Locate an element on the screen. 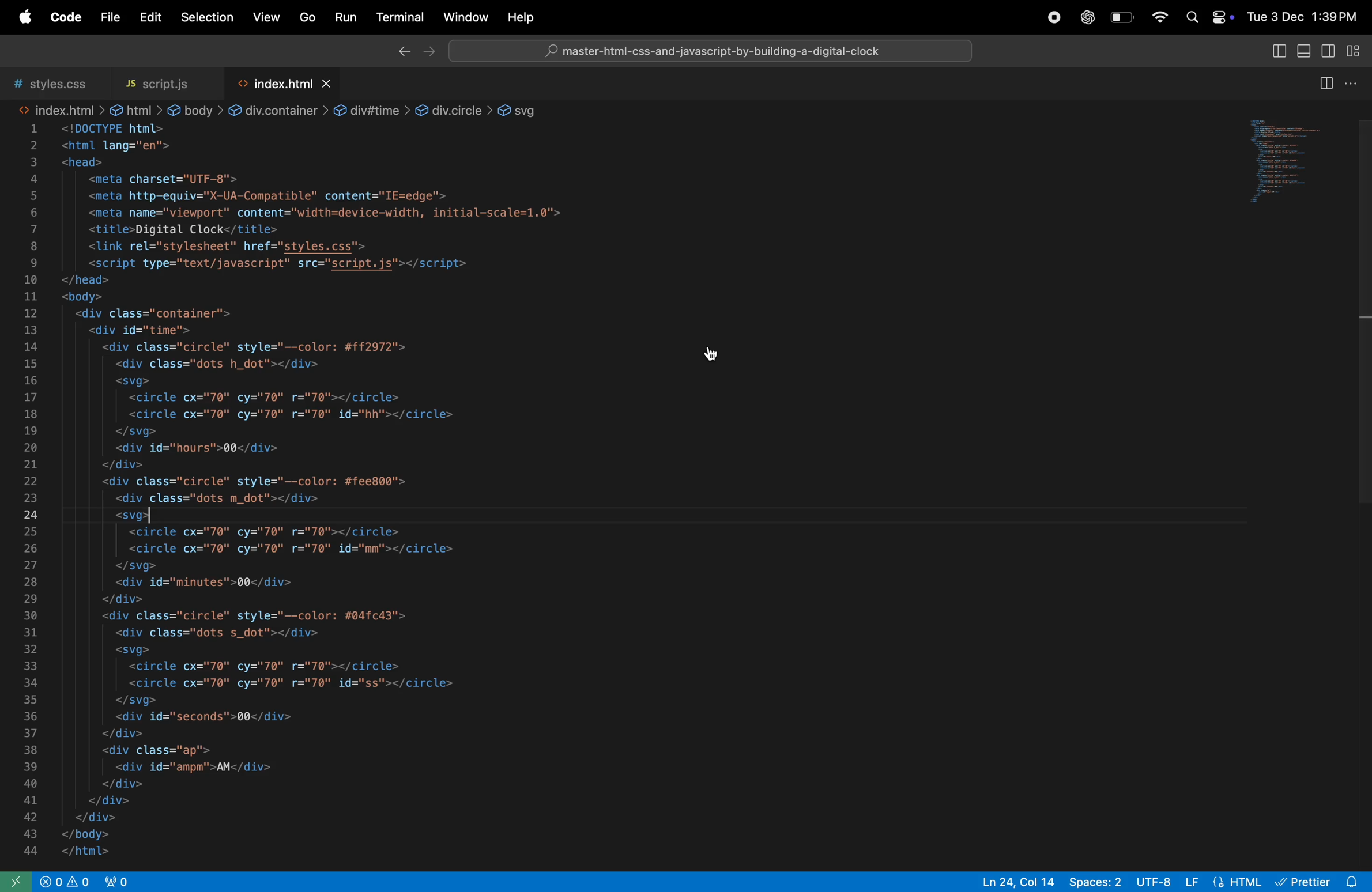 This screenshot has height=892, width=1372. chatgpt is located at coordinates (1085, 17).